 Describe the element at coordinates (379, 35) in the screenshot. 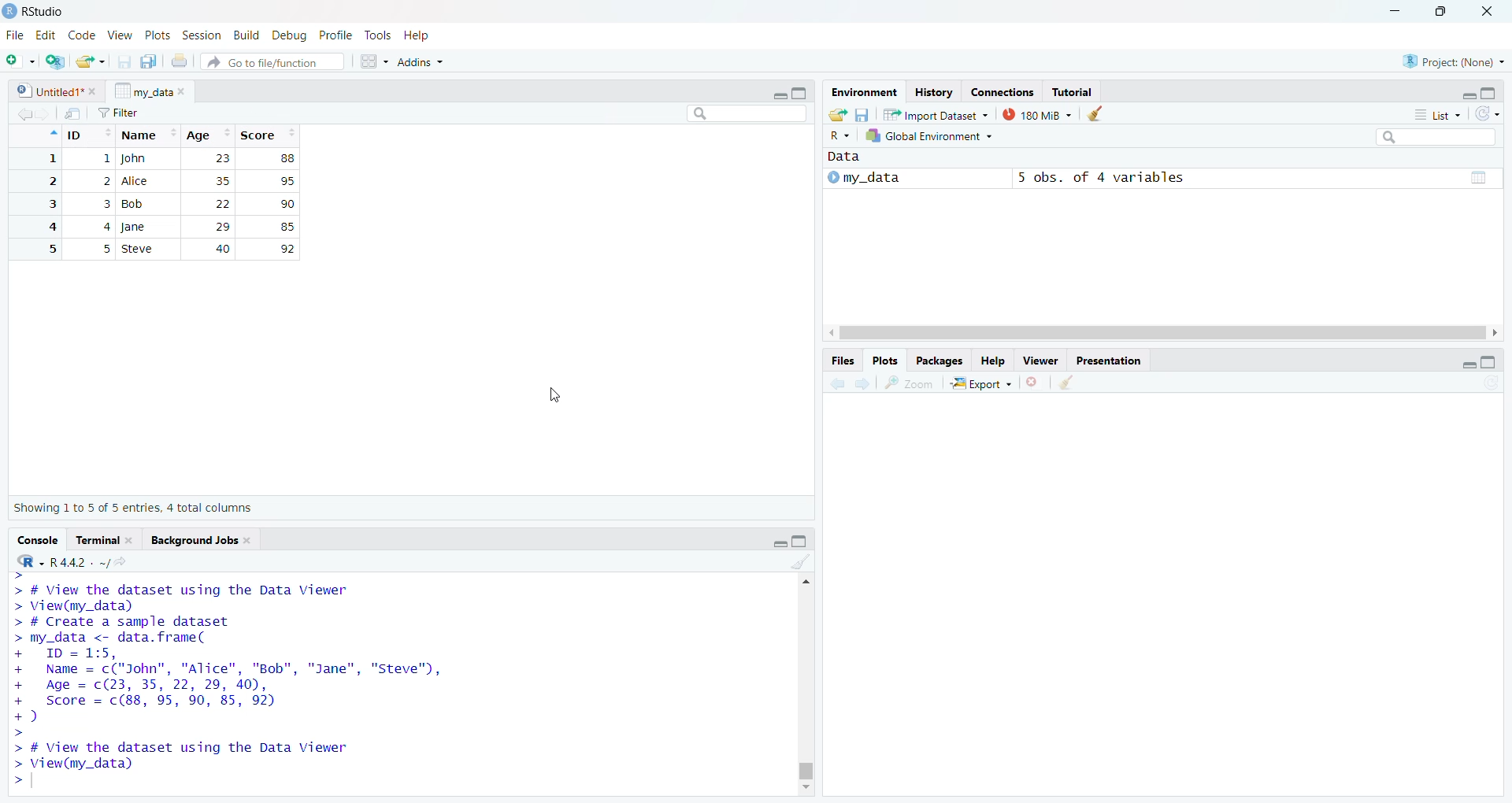

I see `Tools` at that location.